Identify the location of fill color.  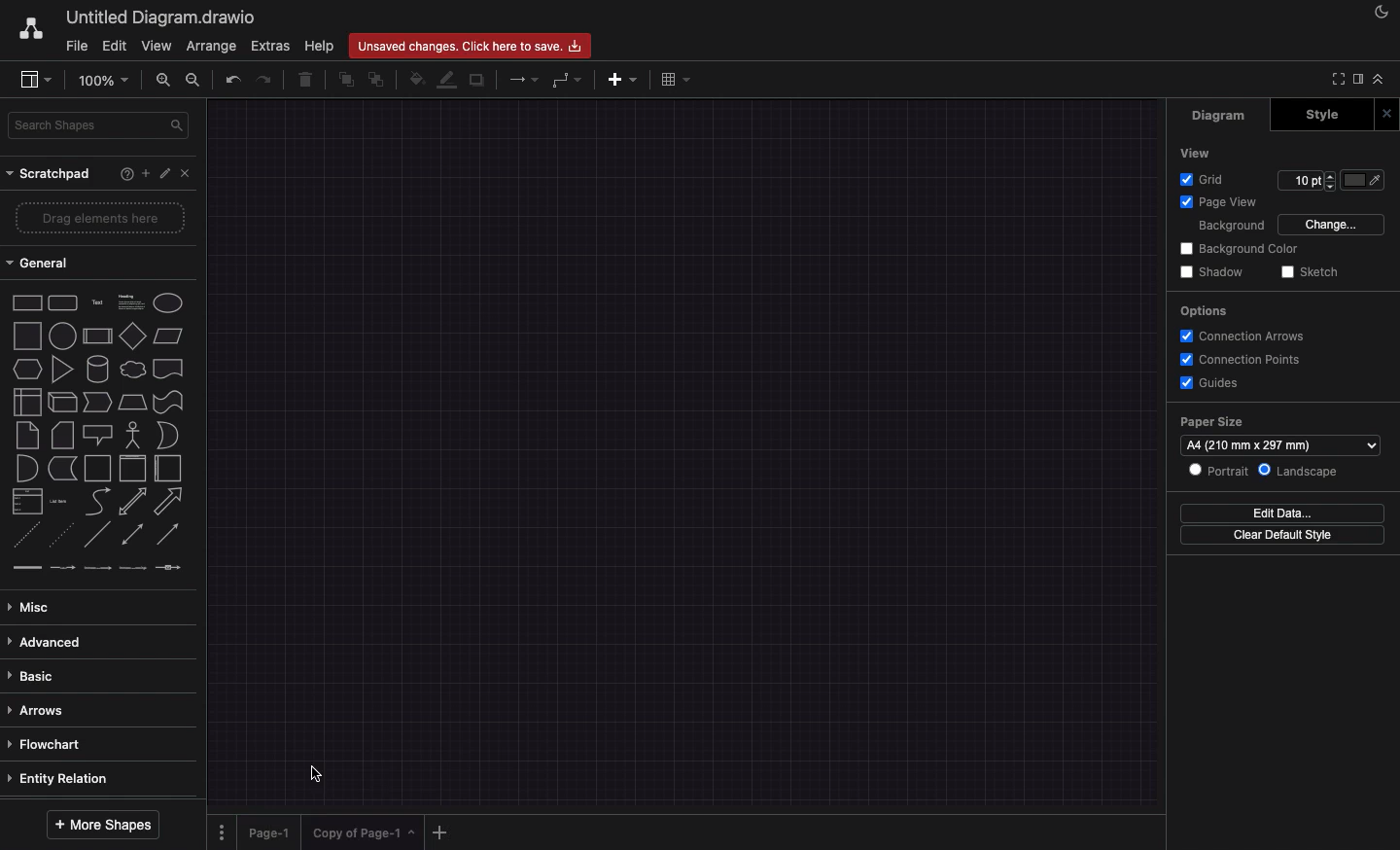
(1362, 179).